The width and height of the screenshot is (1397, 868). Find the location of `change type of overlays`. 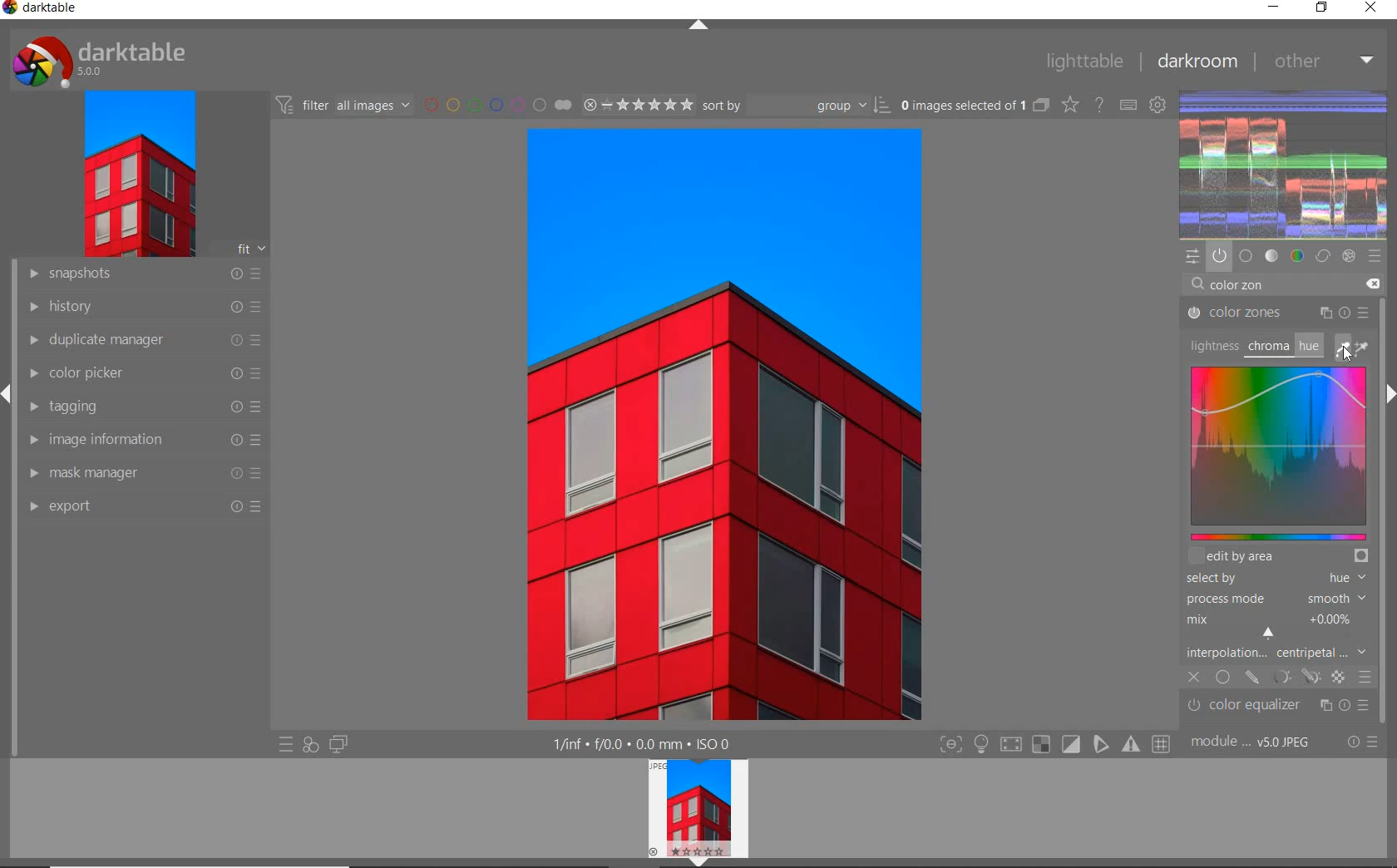

change type of overlays is located at coordinates (1072, 106).